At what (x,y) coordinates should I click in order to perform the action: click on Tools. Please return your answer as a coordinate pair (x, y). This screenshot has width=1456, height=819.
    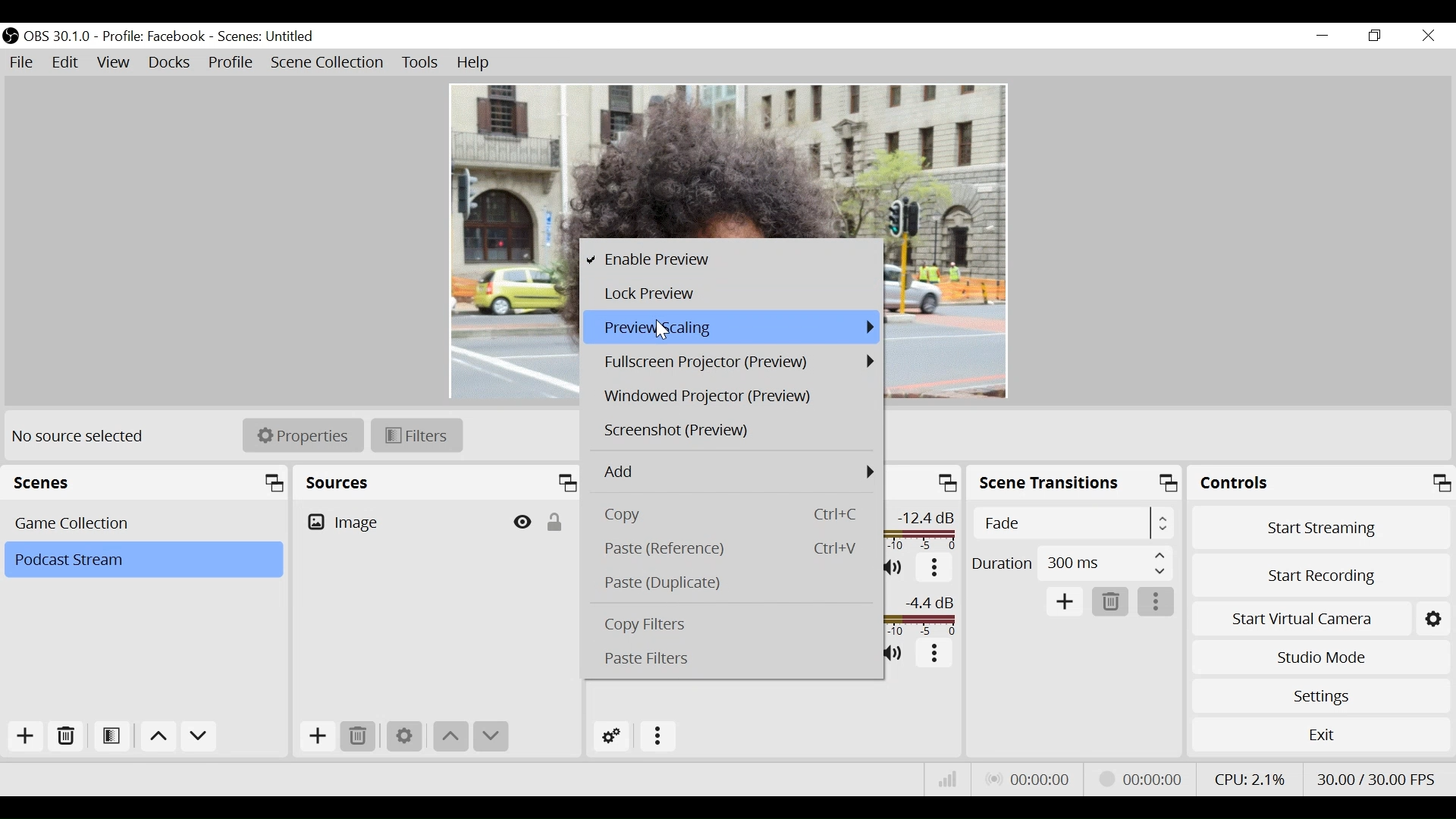
    Looking at the image, I should click on (418, 64).